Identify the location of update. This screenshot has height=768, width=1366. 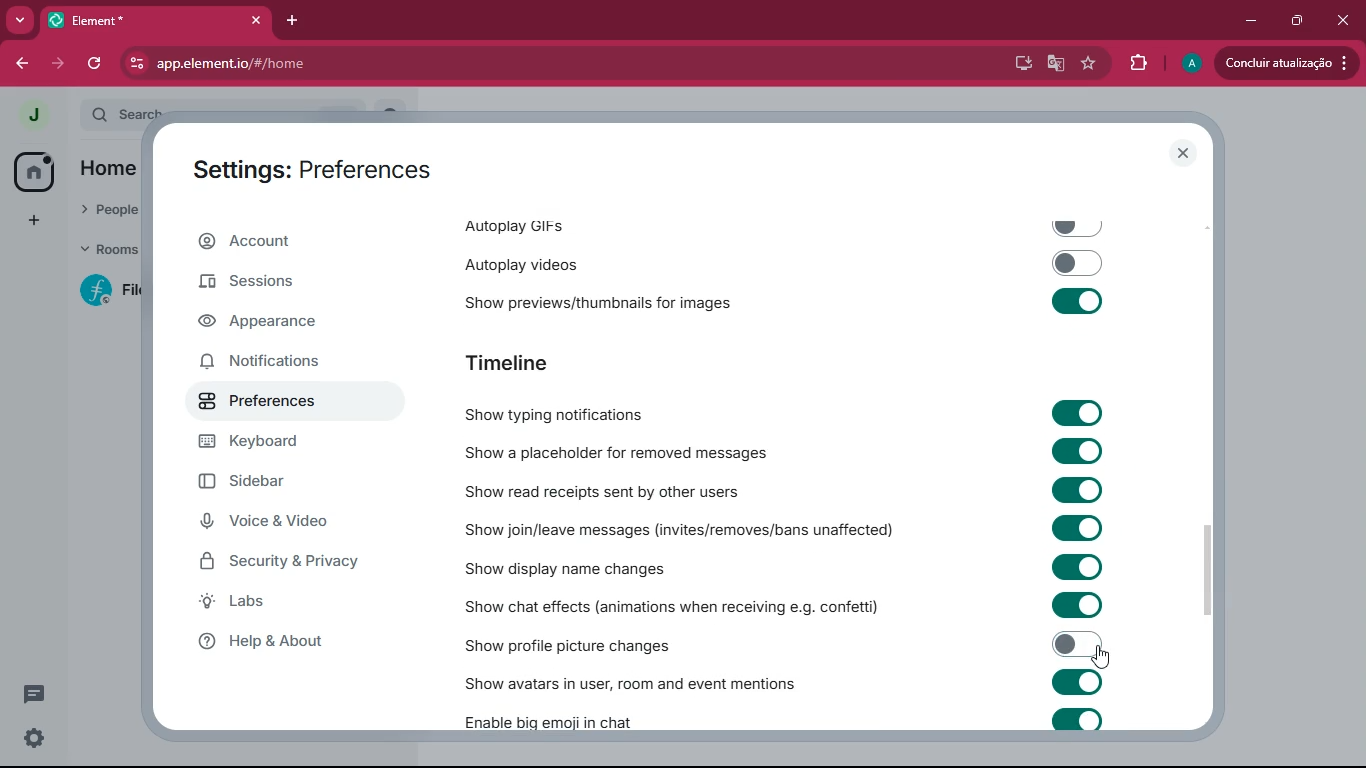
(1291, 64).